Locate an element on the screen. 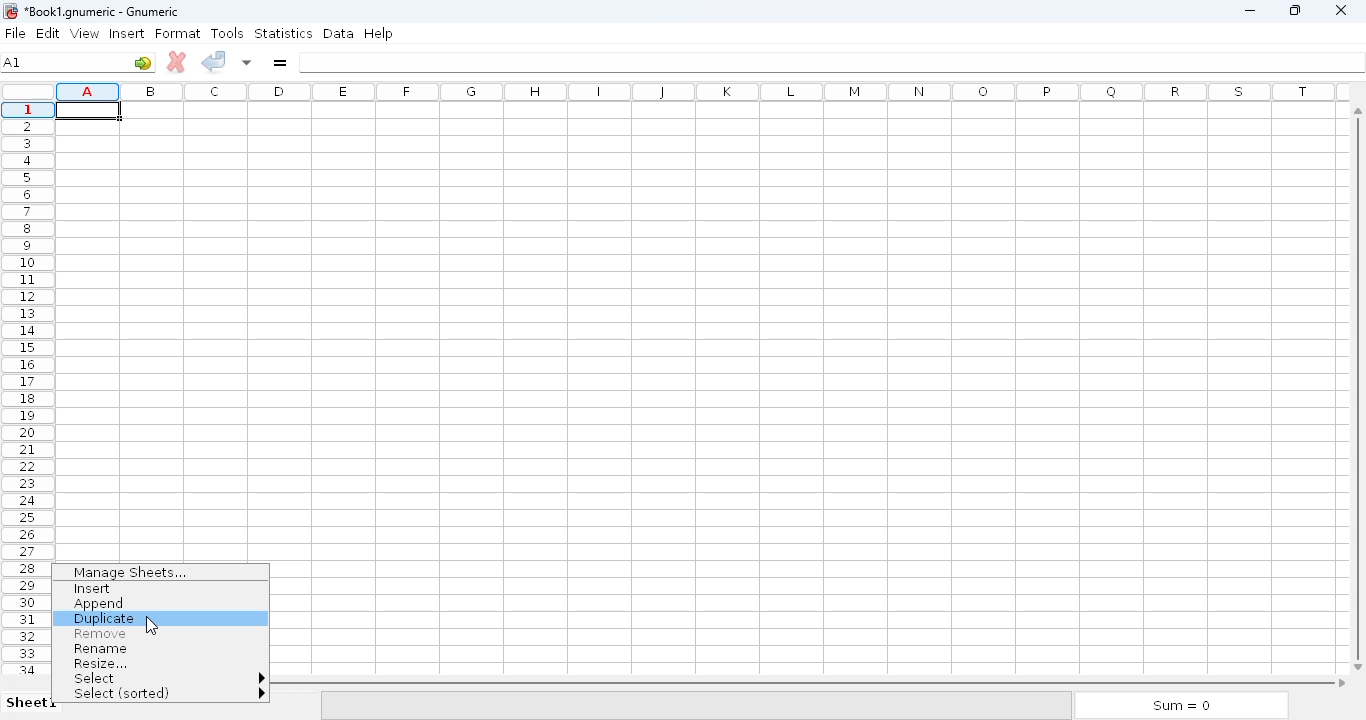  cancel change is located at coordinates (177, 62).